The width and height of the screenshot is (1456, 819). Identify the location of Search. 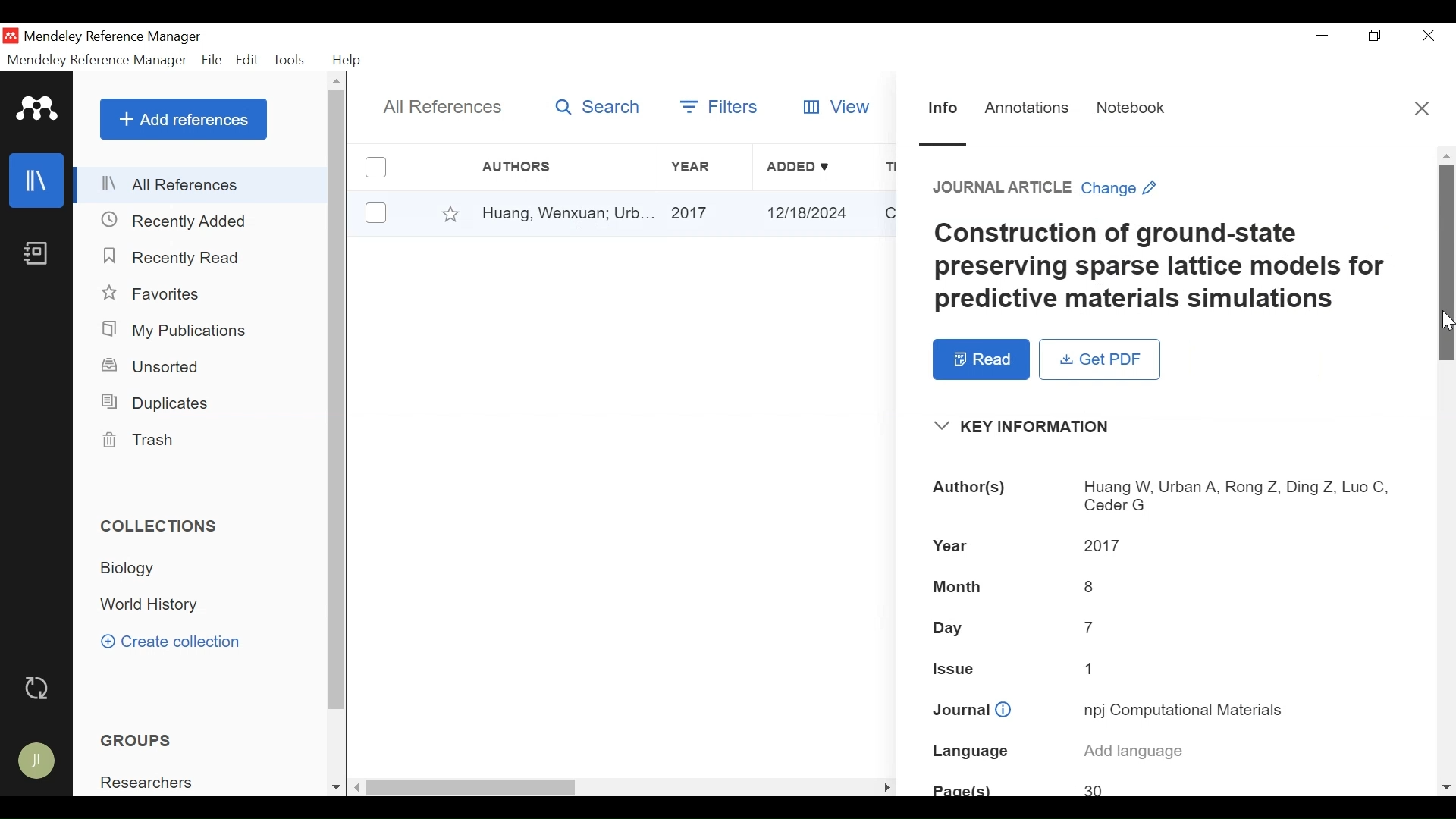
(598, 108).